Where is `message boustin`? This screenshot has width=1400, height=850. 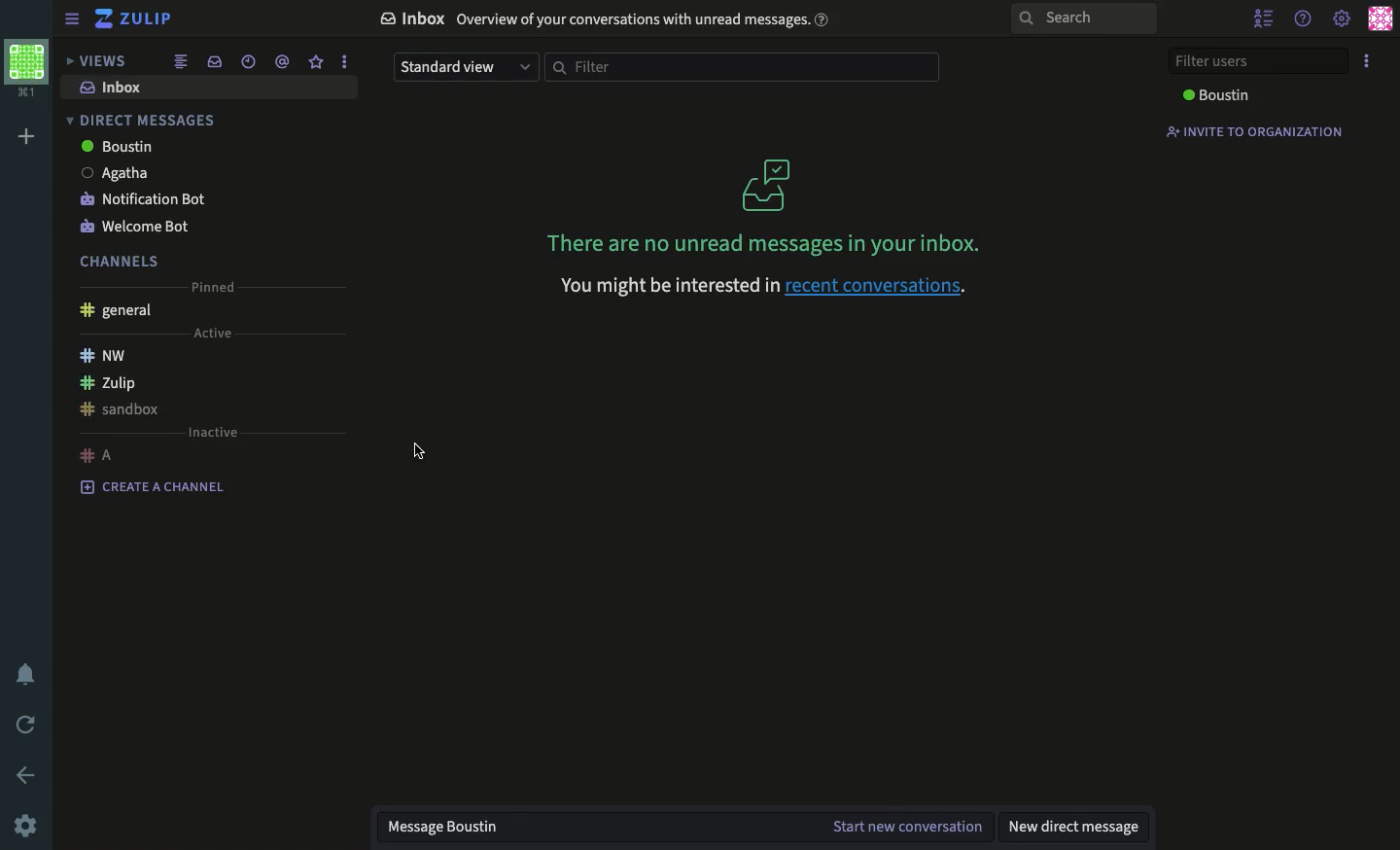
message boustin is located at coordinates (454, 829).